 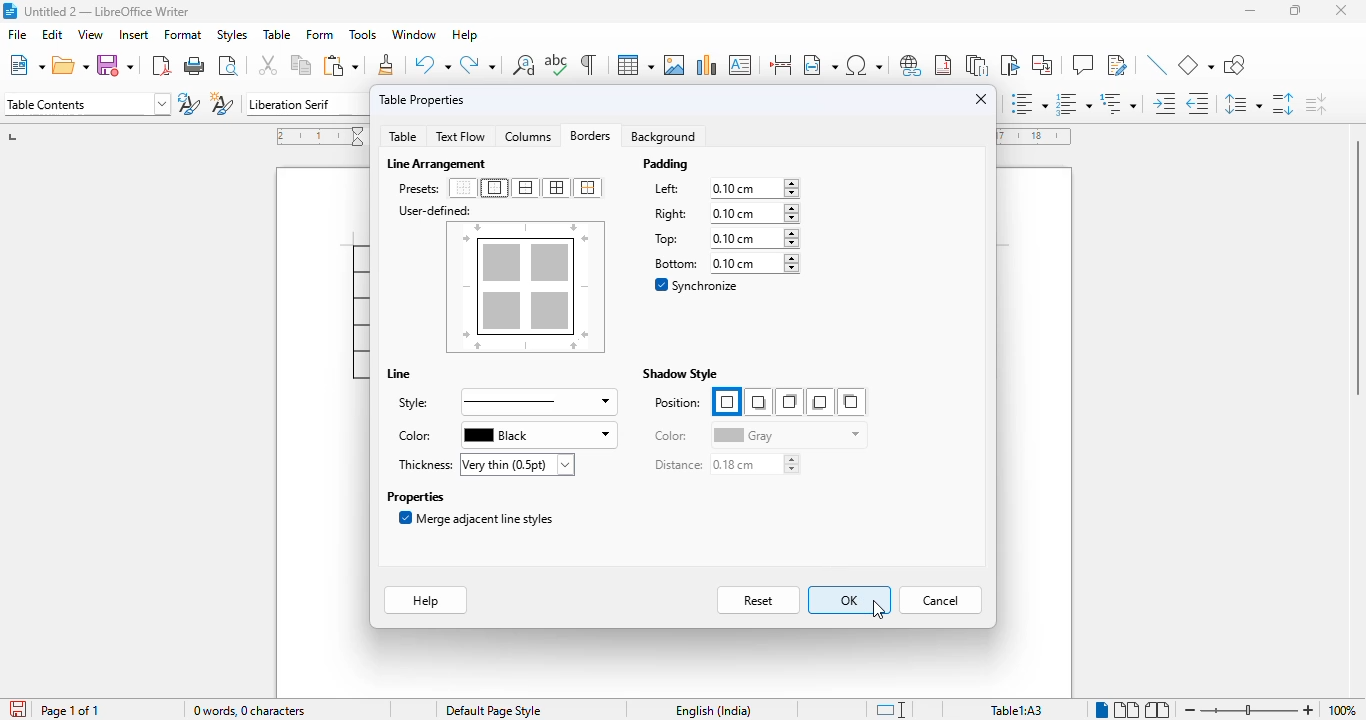 What do you see at coordinates (1309, 710) in the screenshot?
I see `zoom in` at bounding box center [1309, 710].